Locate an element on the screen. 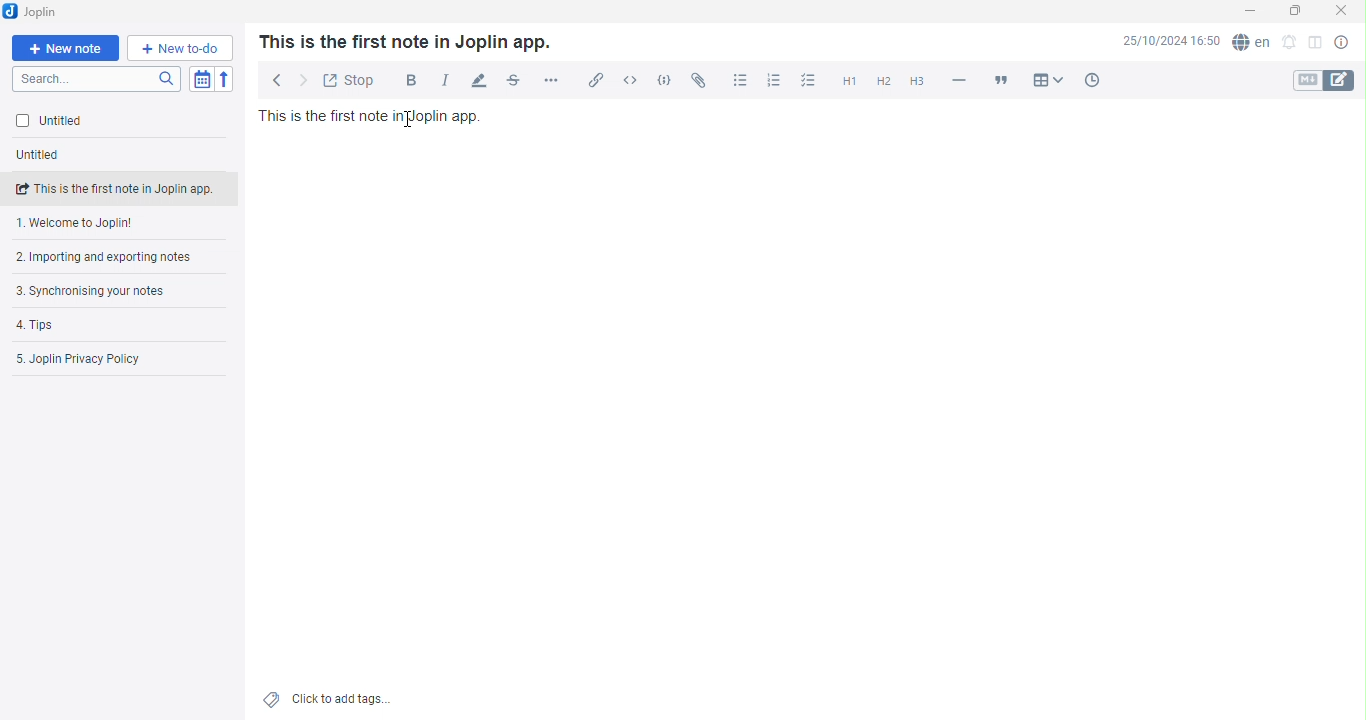 The width and height of the screenshot is (1366, 720). Heading 2 is located at coordinates (883, 83).